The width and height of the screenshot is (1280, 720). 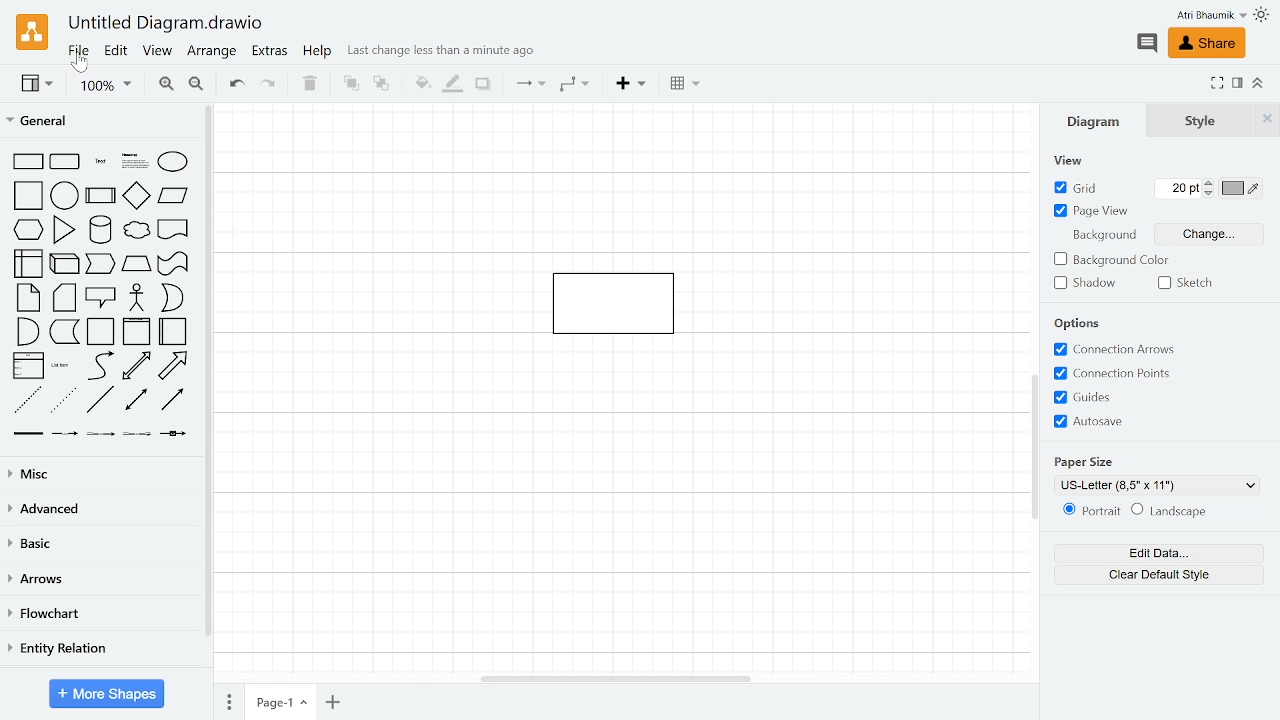 I want to click on Delete, so click(x=310, y=85).